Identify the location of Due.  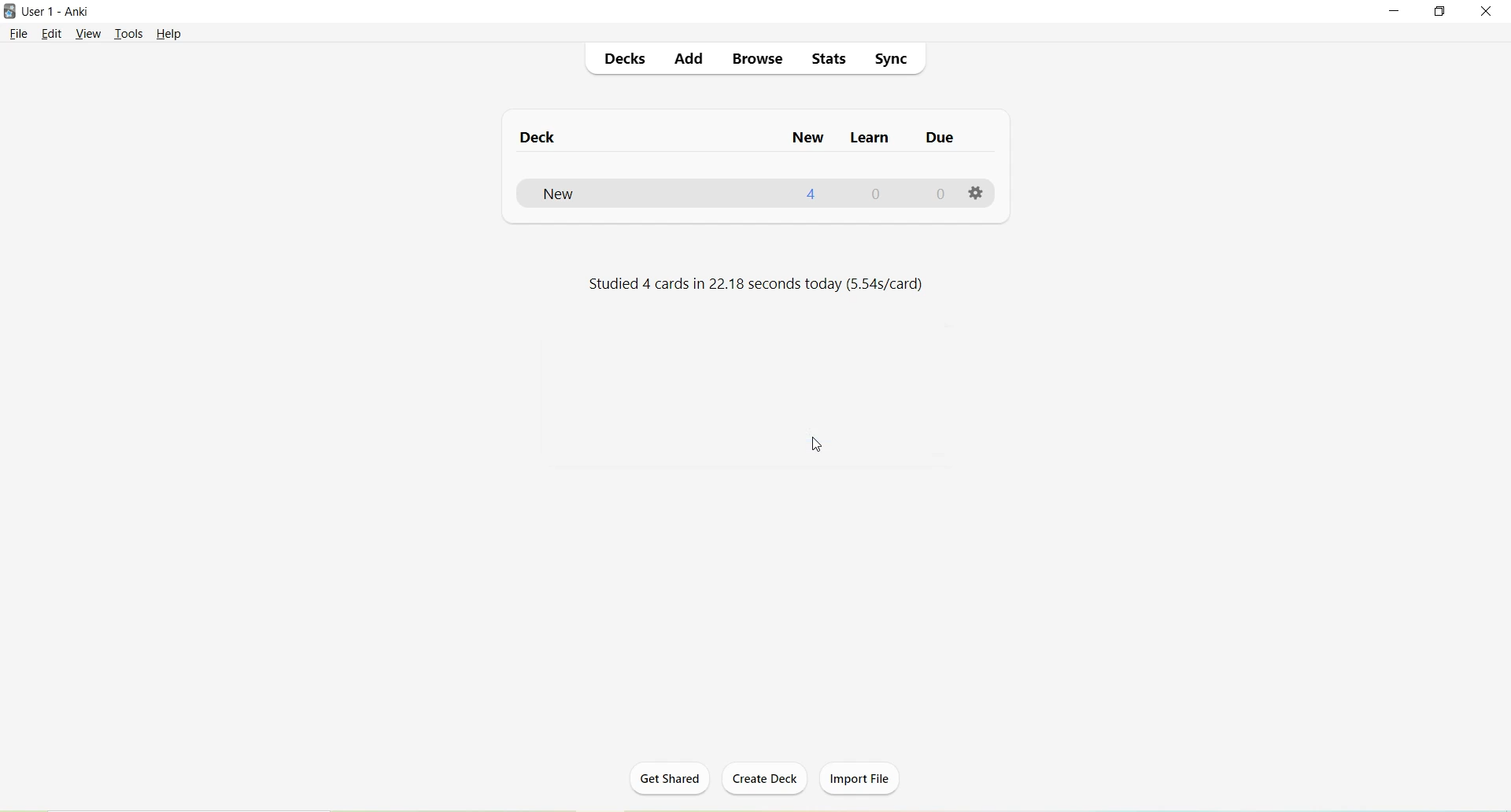
(937, 140).